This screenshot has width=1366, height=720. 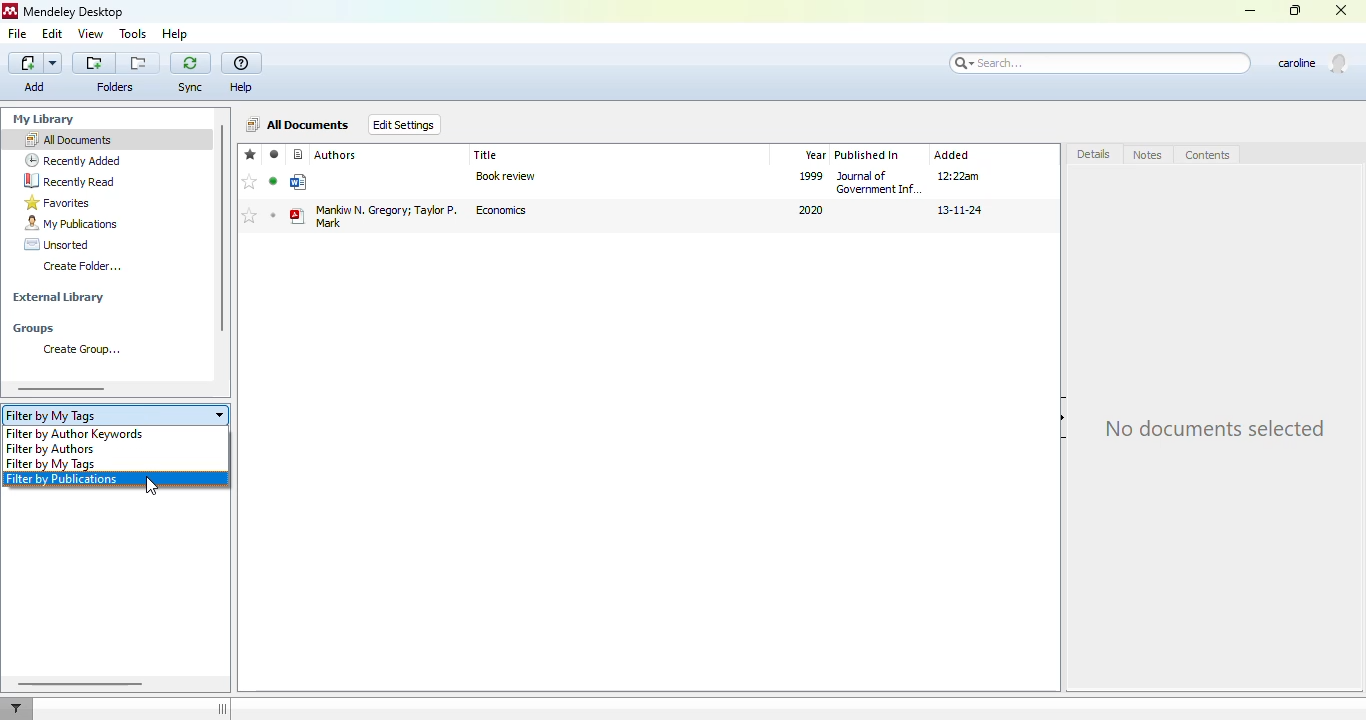 What do you see at coordinates (336, 155) in the screenshot?
I see `authors` at bounding box center [336, 155].